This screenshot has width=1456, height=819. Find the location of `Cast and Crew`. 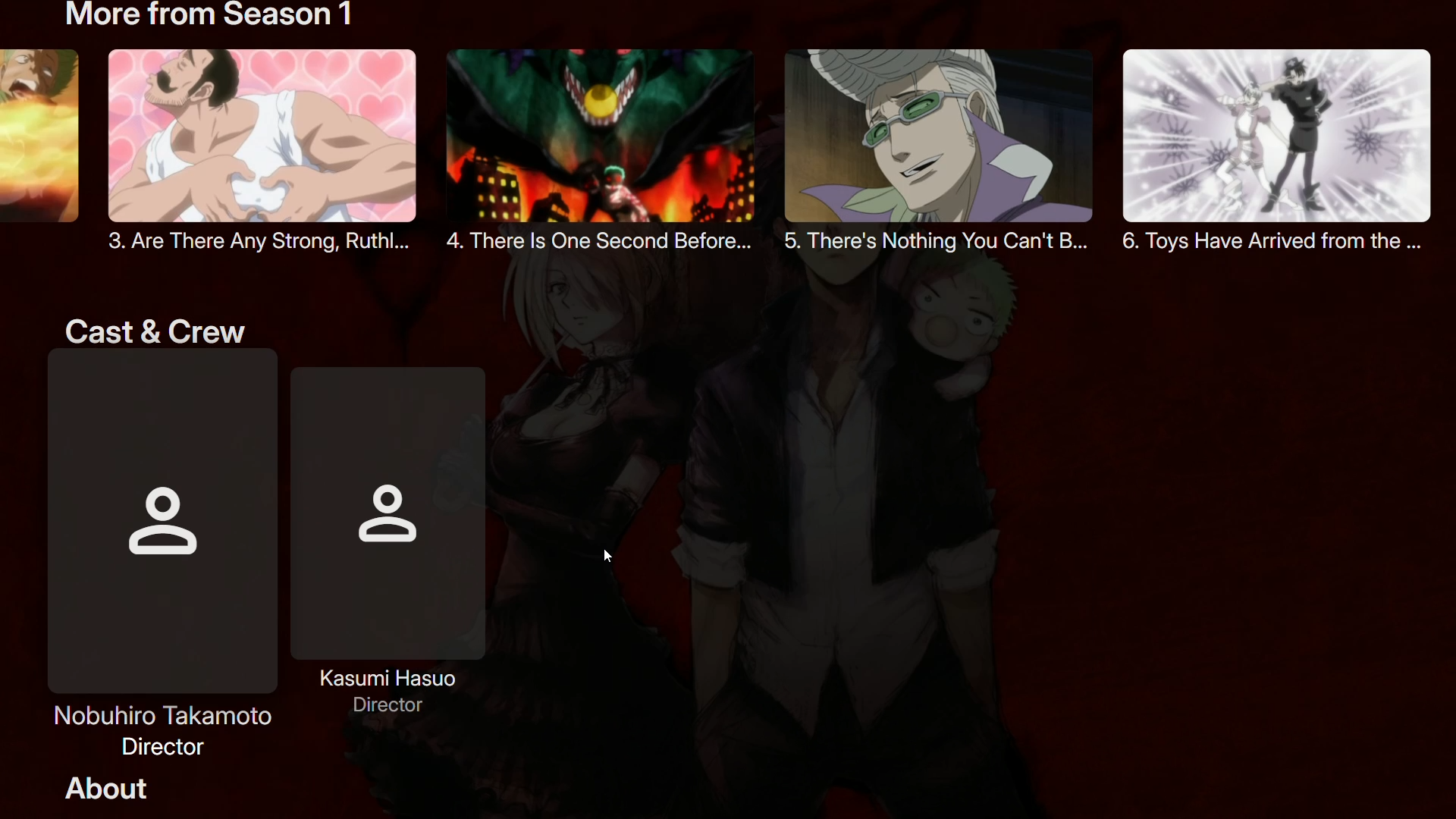

Cast and Crew is located at coordinates (158, 328).